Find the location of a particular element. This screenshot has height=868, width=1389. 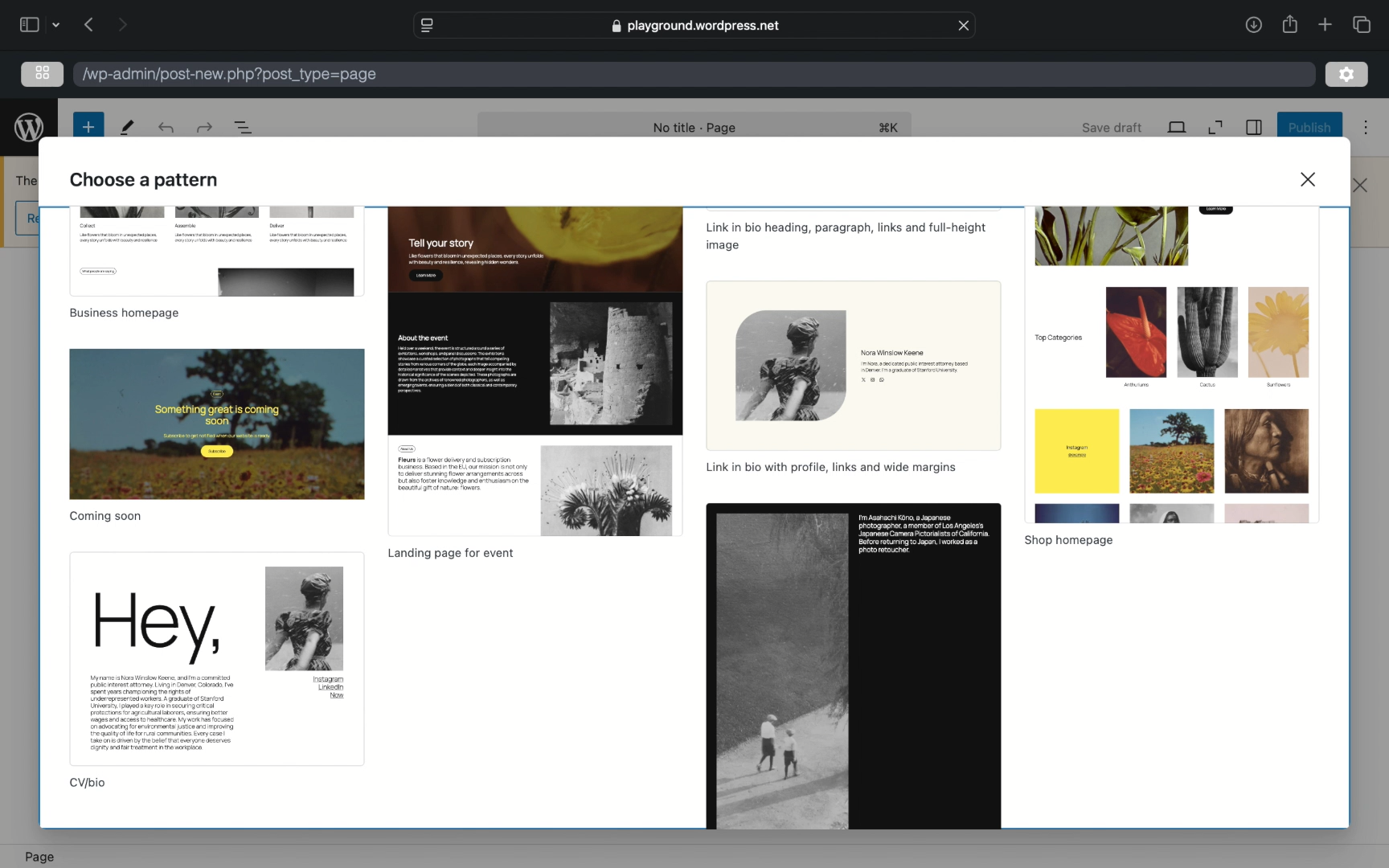

obscure text is located at coordinates (24, 180).